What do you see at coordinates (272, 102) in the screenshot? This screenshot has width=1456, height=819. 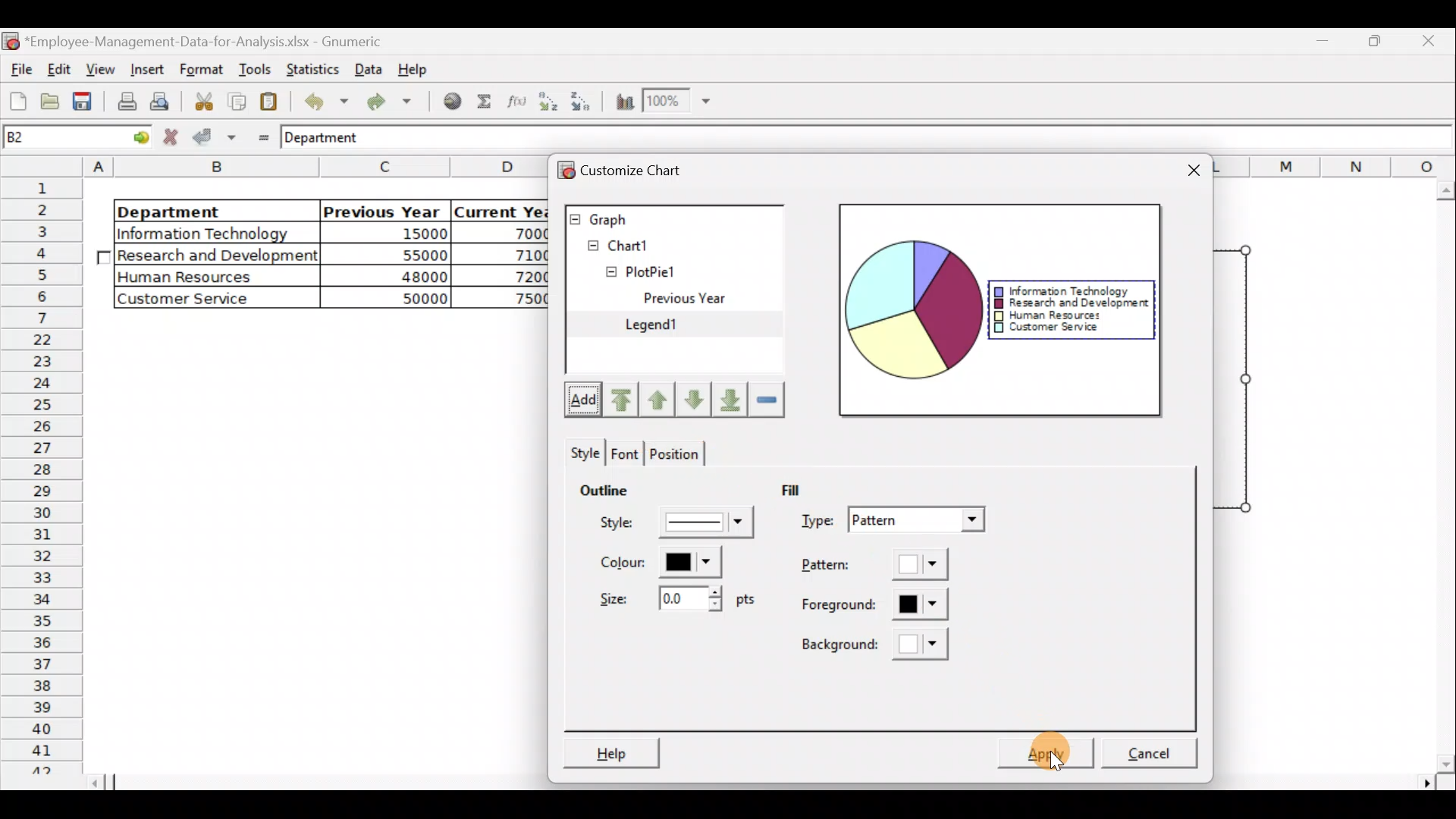 I see `Paste the clipboard` at bounding box center [272, 102].